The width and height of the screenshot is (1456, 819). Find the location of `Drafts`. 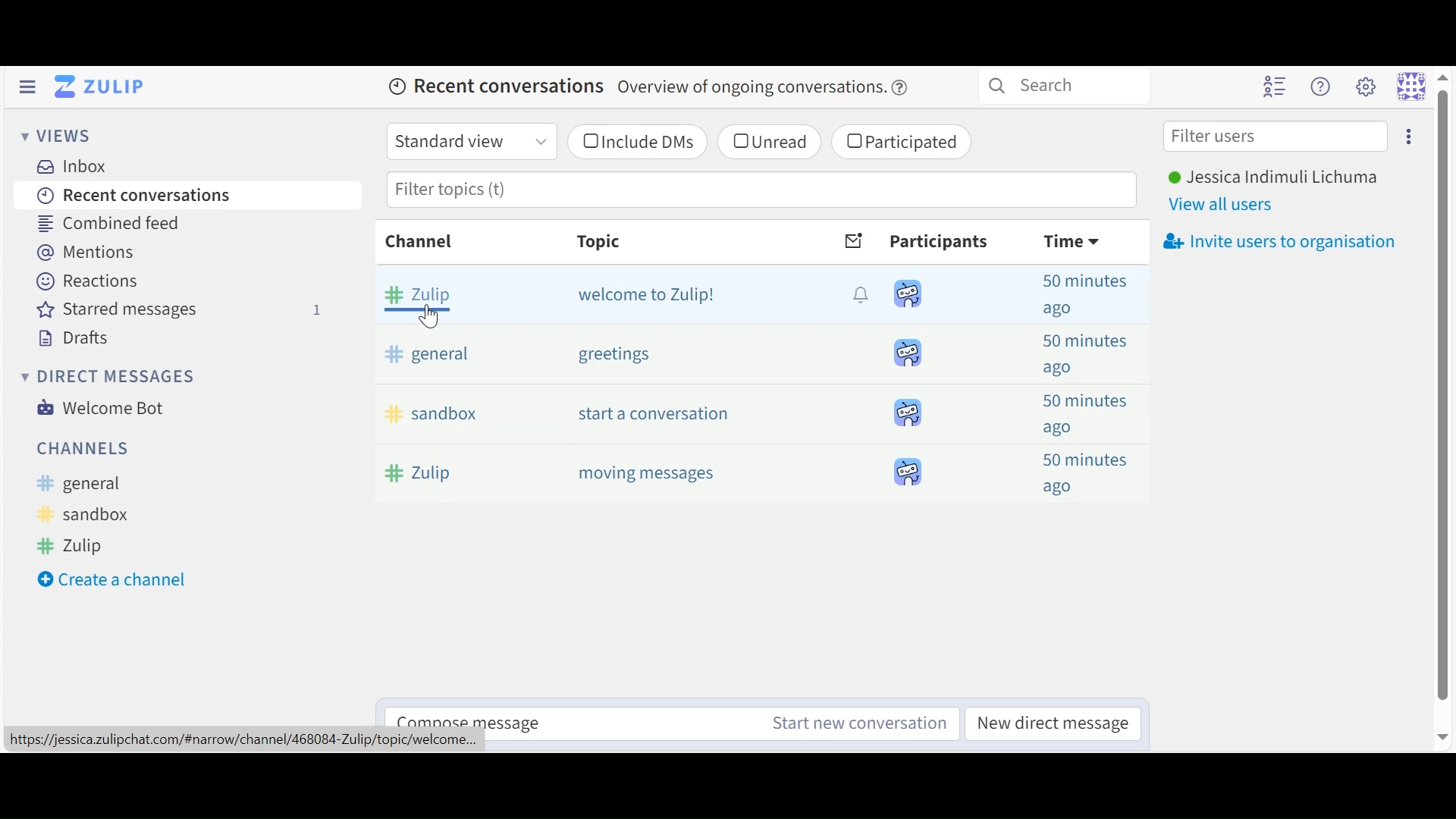

Drafts is located at coordinates (67, 336).